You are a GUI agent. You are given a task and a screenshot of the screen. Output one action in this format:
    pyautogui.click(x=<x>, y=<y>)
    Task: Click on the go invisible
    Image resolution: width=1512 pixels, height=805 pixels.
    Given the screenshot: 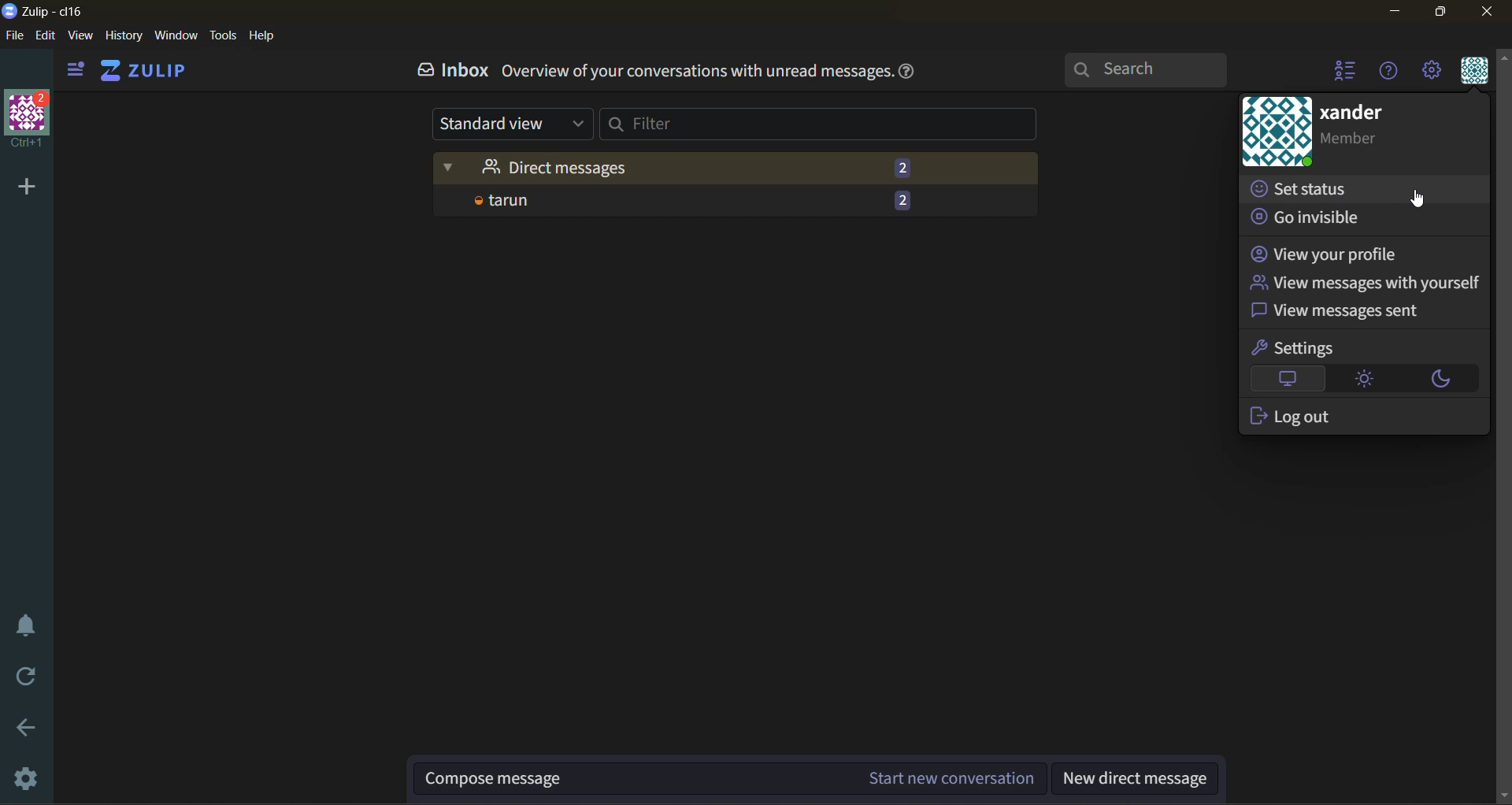 What is the action you would take?
    pyautogui.click(x=1319, y=218)
    